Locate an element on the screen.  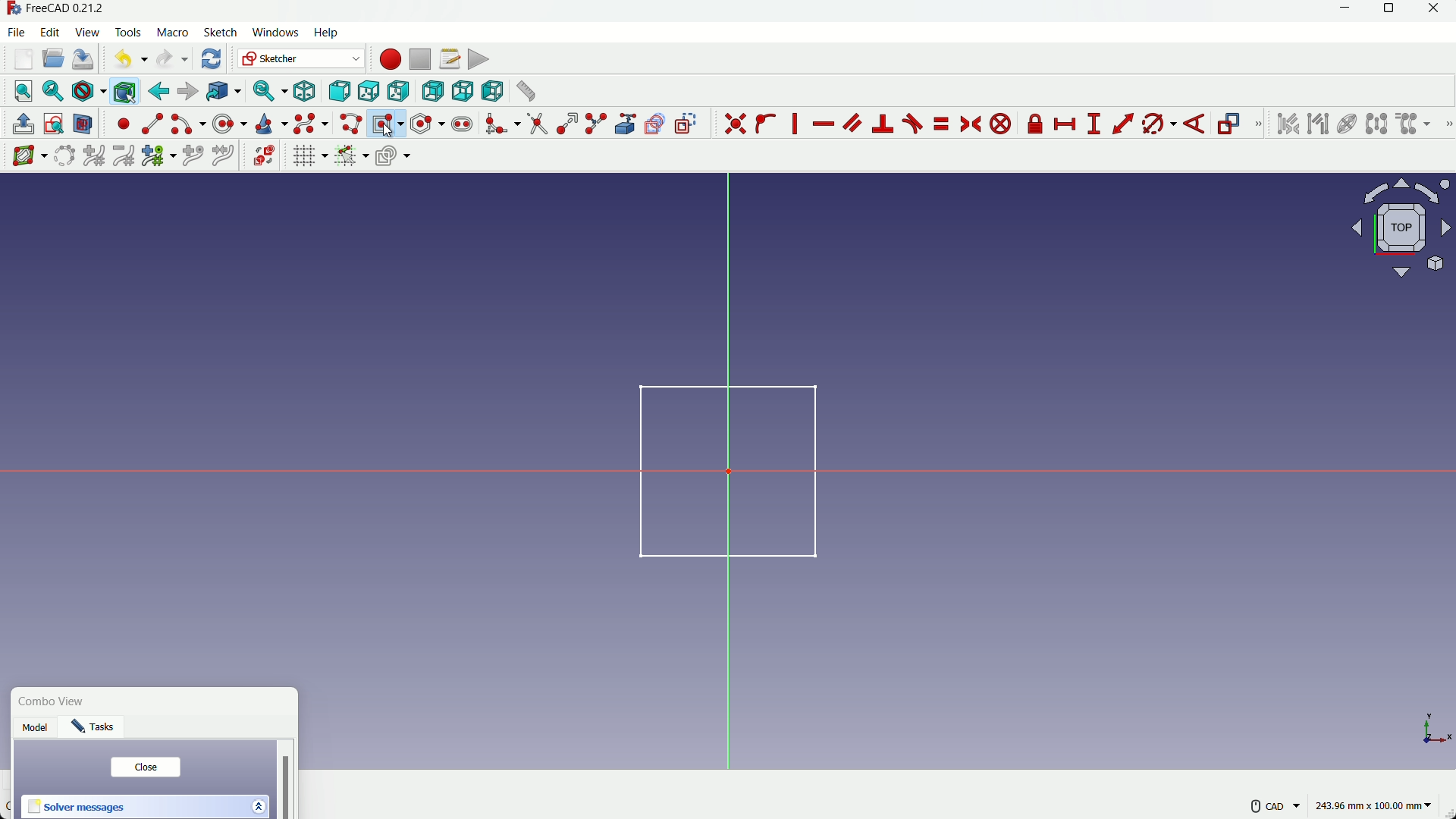
Solver Messages is located at coordinates (77, 808).